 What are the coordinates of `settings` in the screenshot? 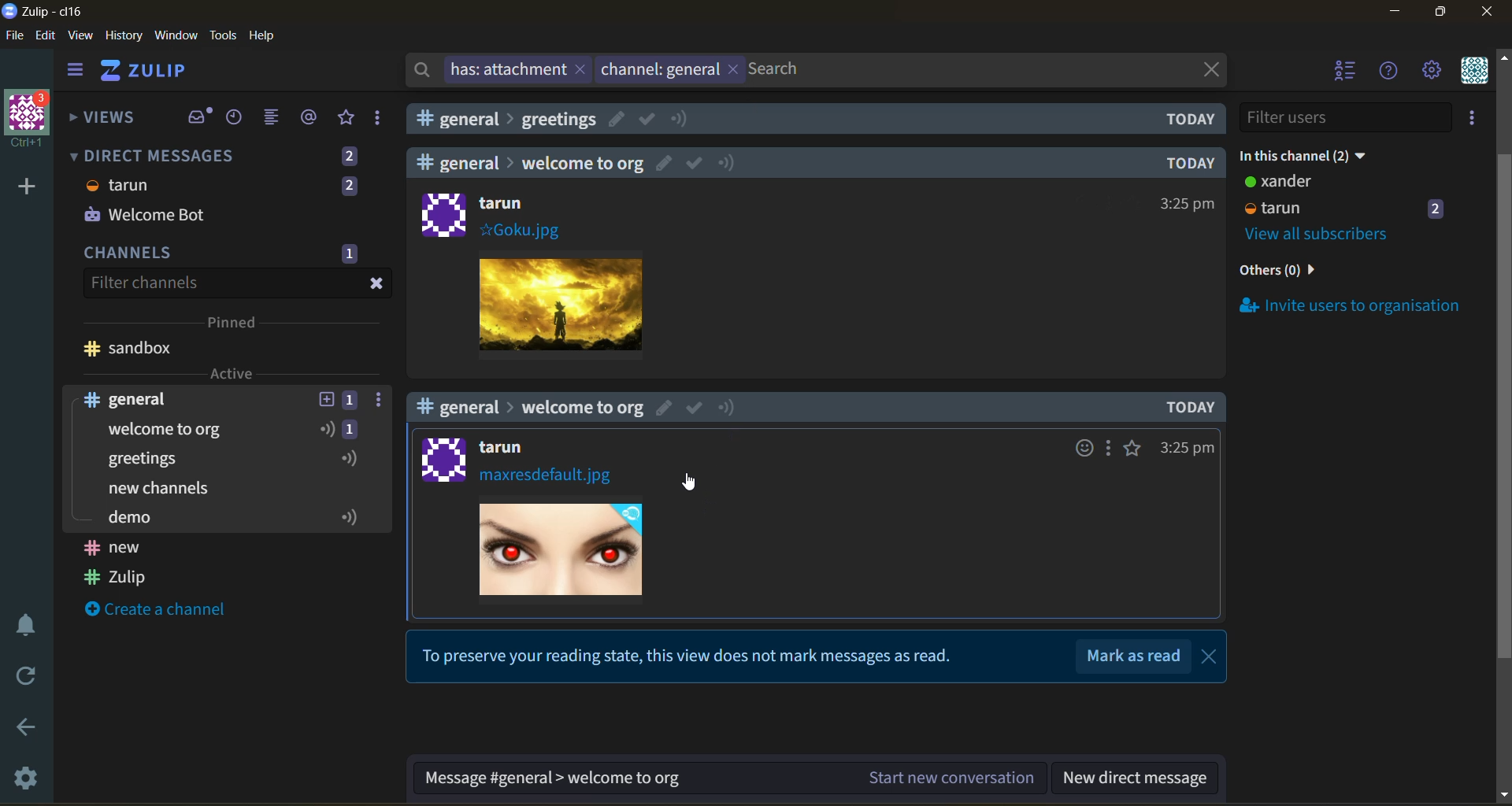 It's located at (1432, 71).